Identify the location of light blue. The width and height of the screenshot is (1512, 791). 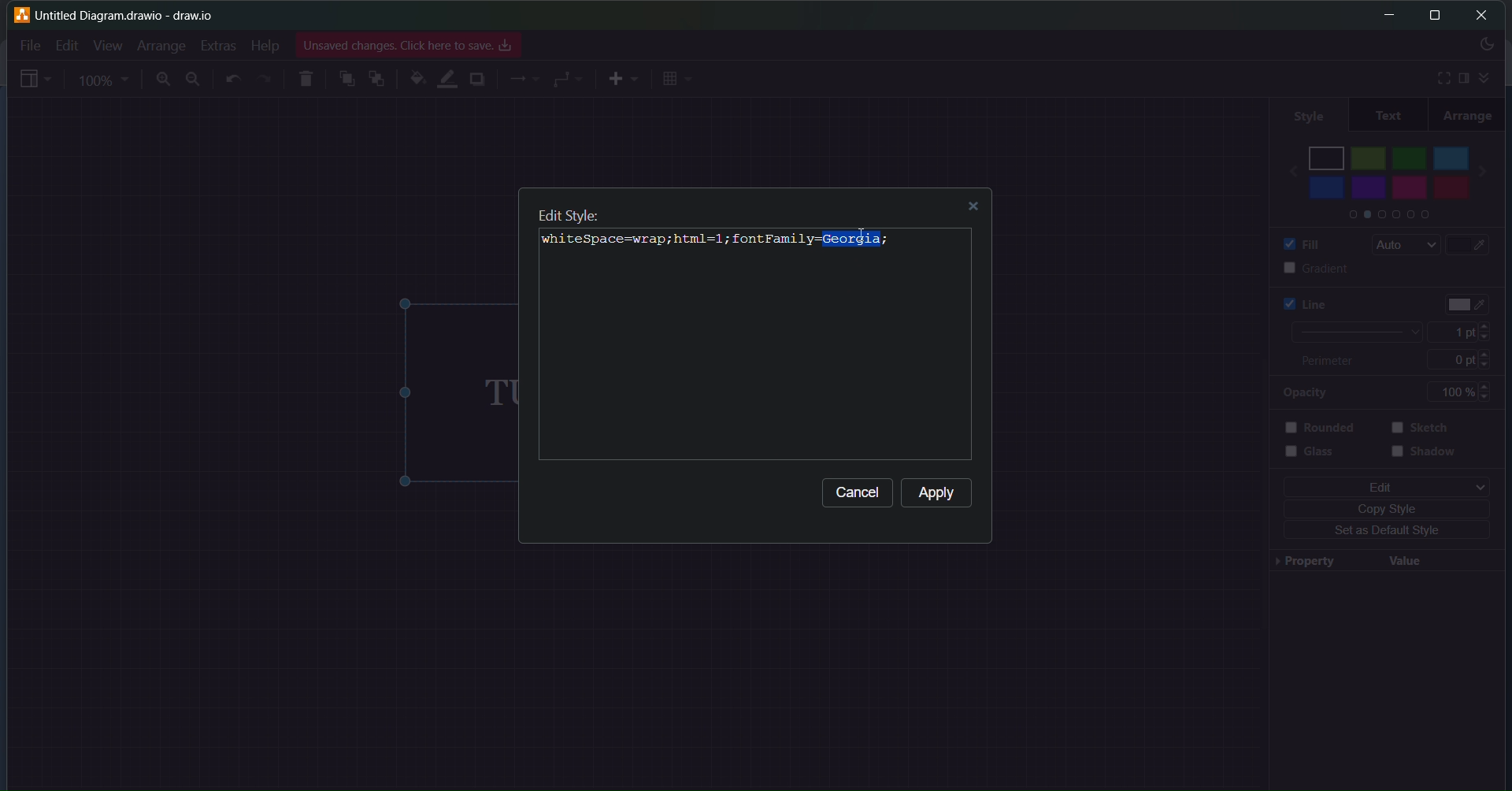
(1452, 155).